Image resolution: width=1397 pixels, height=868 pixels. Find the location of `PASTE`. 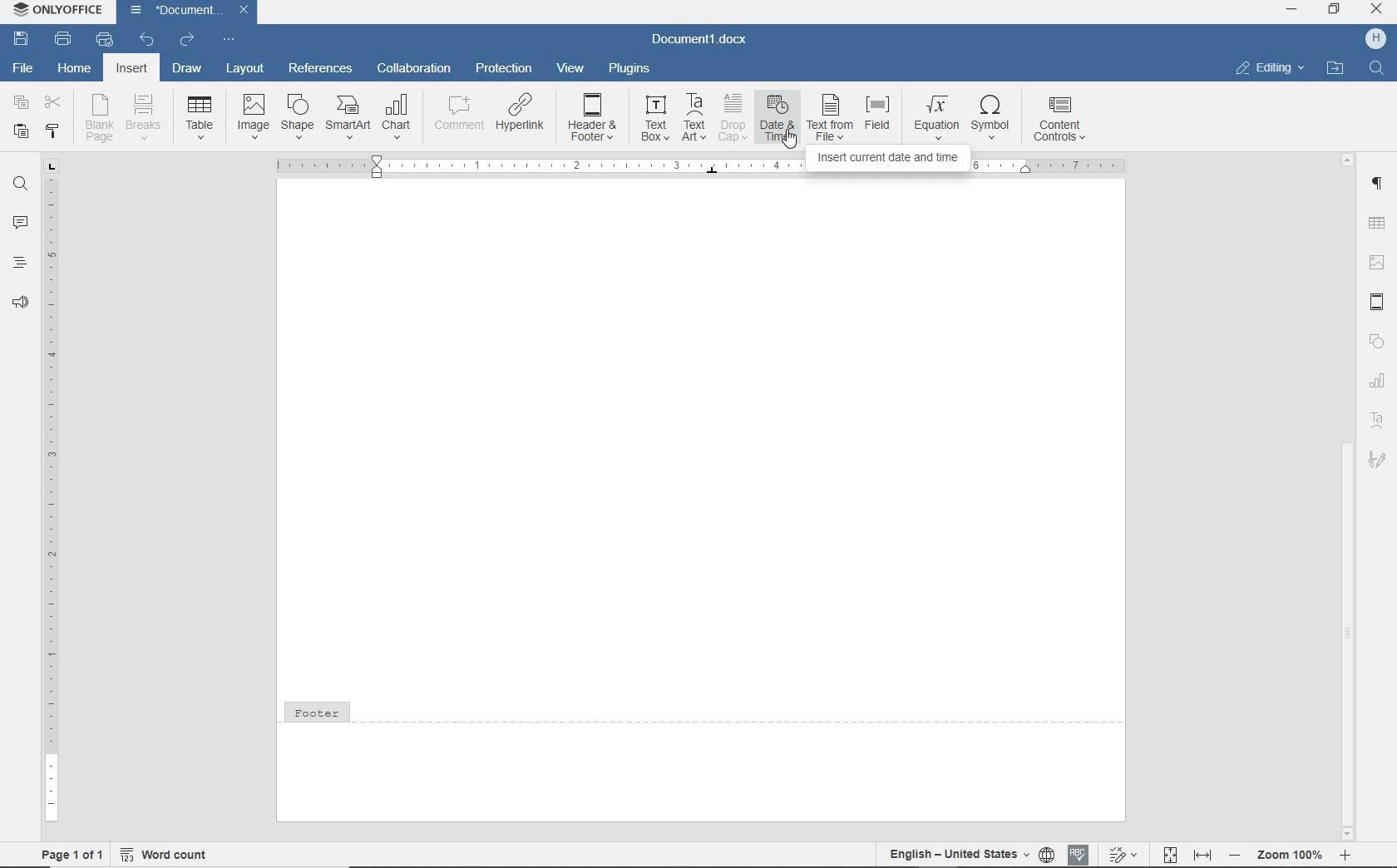

PASTE is located at coordinates (20, 133).